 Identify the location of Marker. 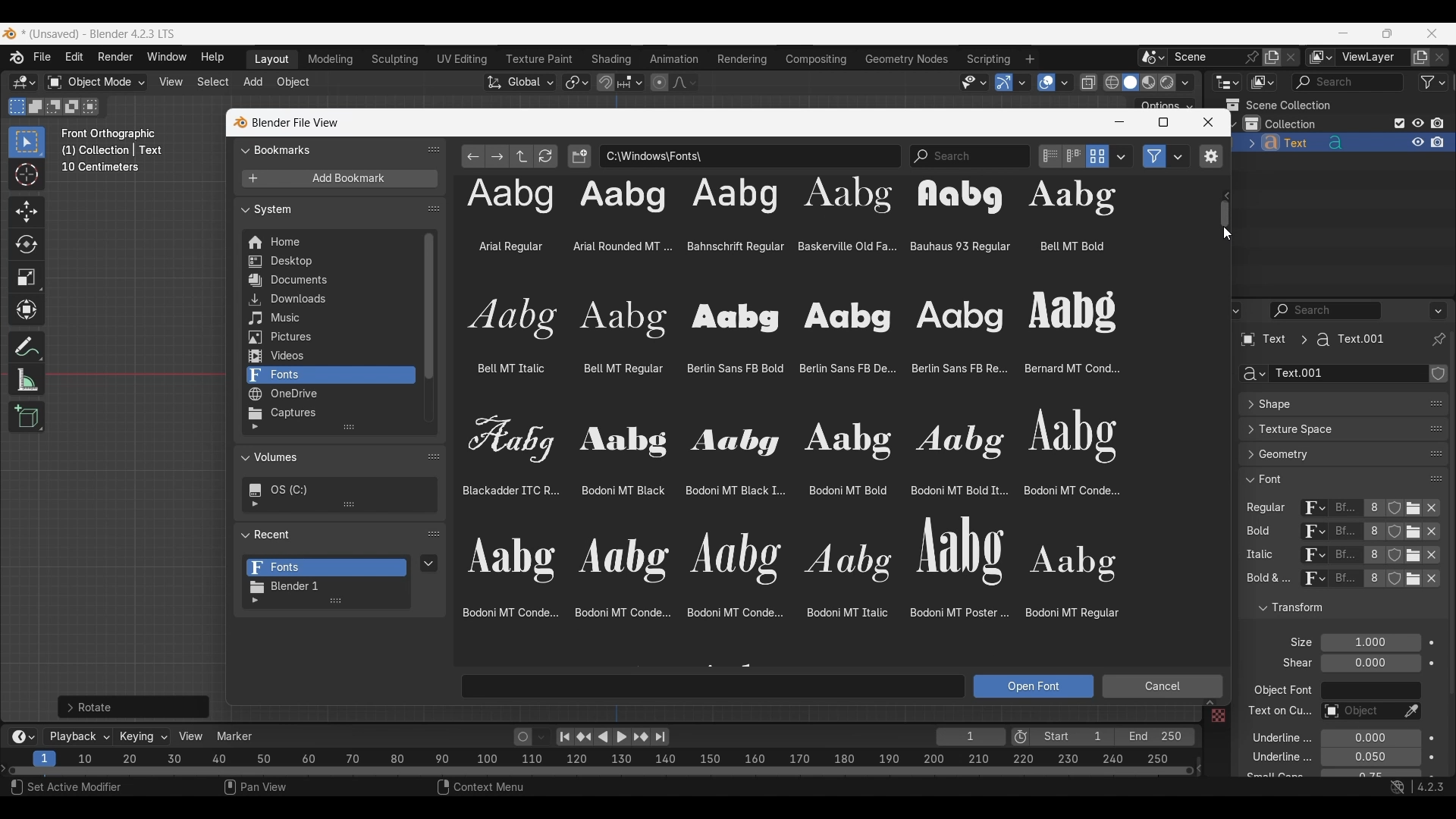
(235, 736).